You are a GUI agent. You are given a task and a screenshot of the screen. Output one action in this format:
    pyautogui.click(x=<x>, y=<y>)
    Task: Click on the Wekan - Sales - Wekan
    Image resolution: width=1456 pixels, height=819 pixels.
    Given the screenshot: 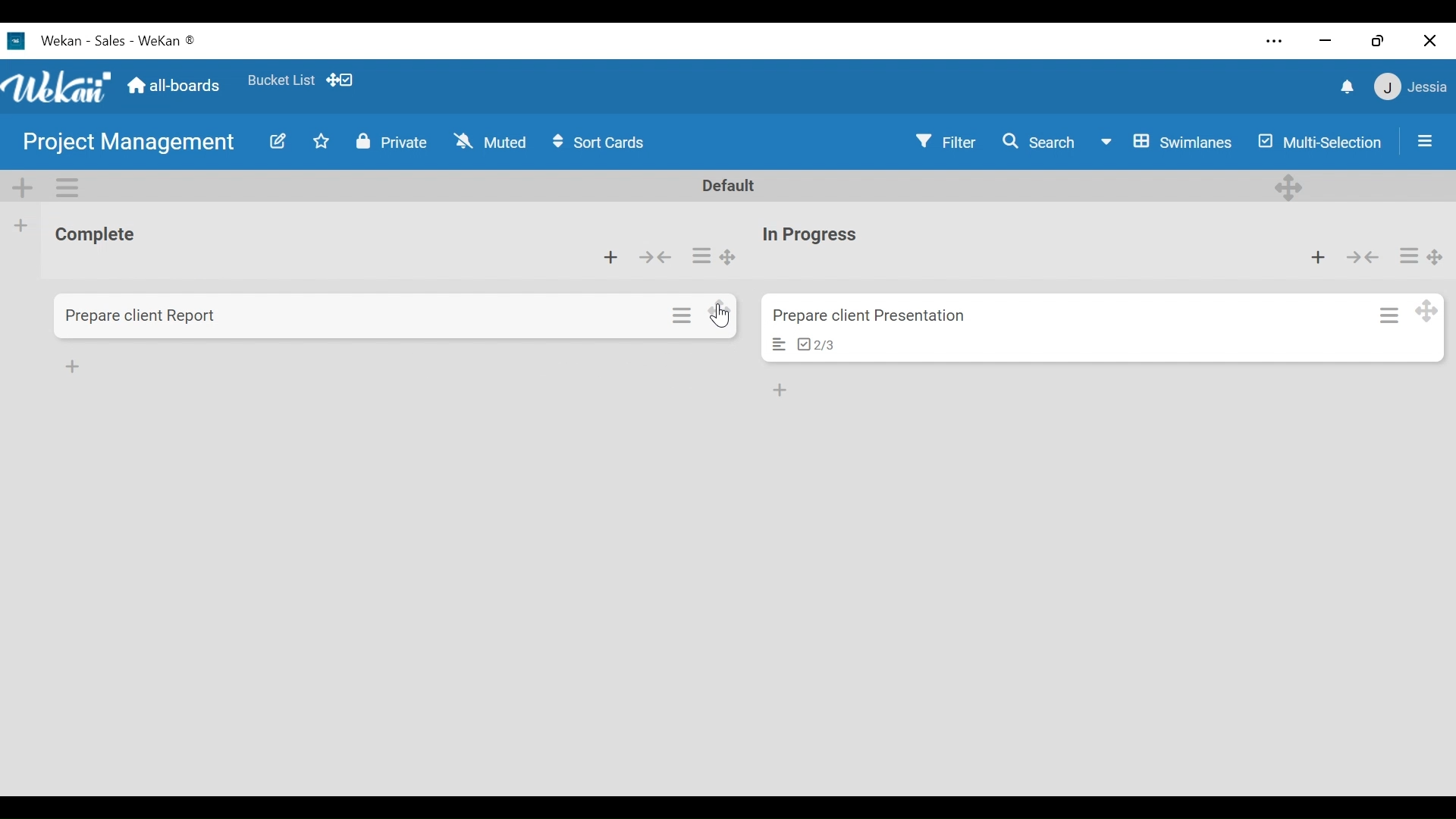 What is the action you would take?
    pyautogui.click(x=121, y=40)
    